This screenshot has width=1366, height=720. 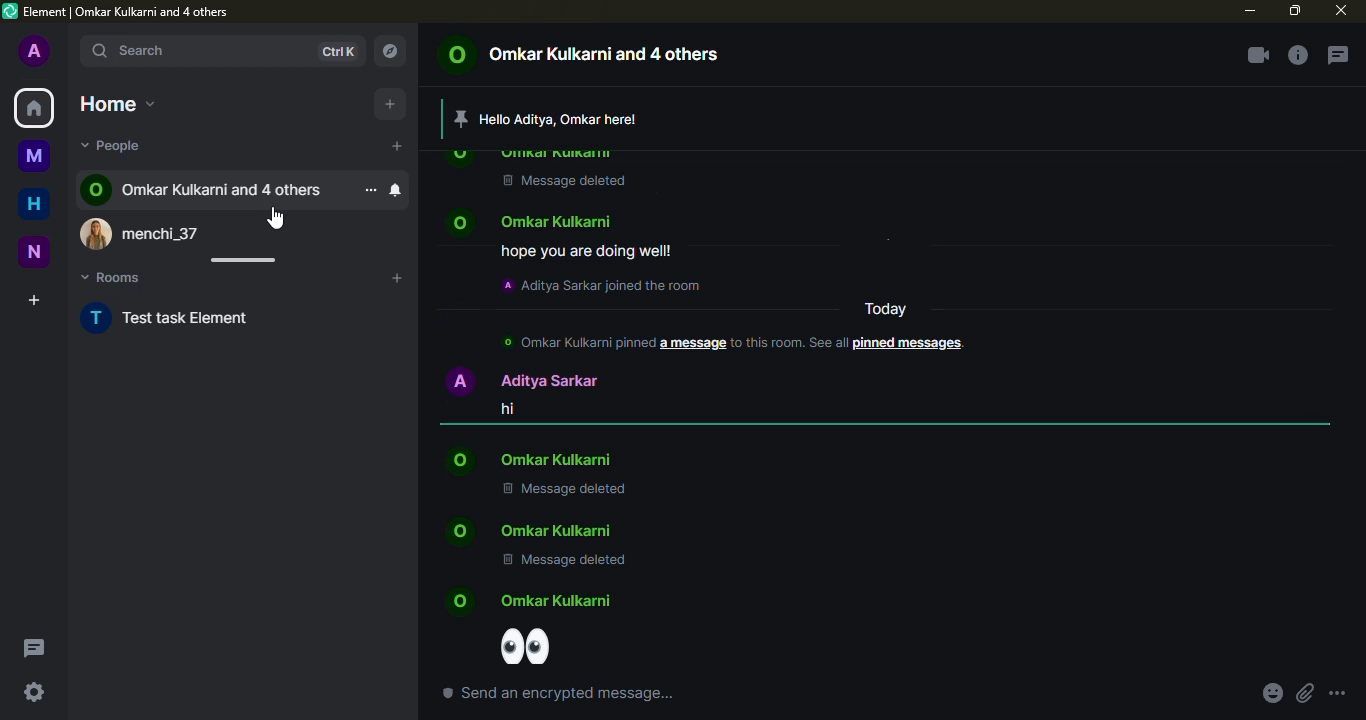 What do you see at coordinates (204, 188) in the screenshot?
I see `omkar kulkarni and 4 others` at bounding box center [204, 188].